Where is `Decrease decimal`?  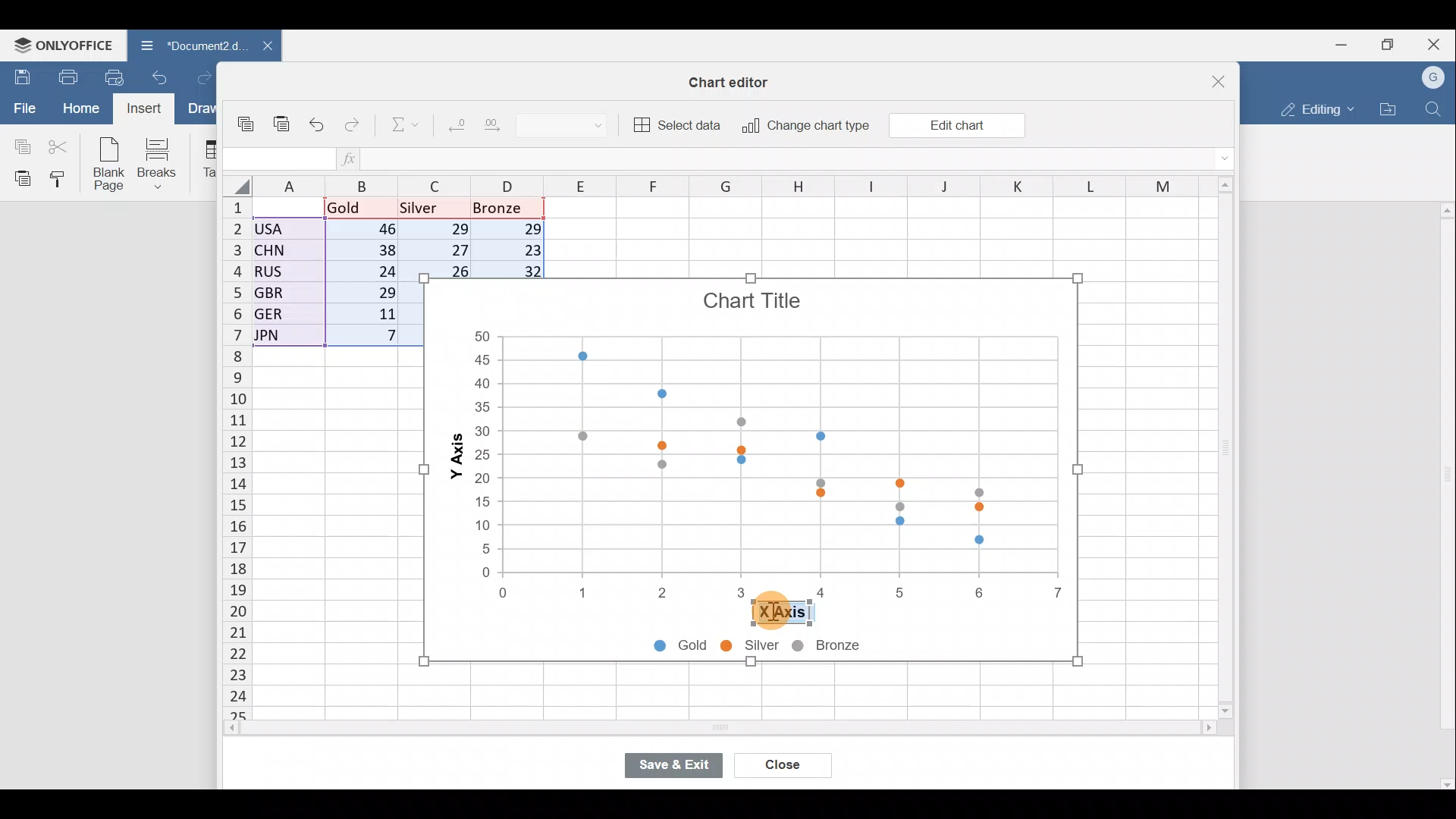 Decrease decimal is located at coordinates (453, 128).